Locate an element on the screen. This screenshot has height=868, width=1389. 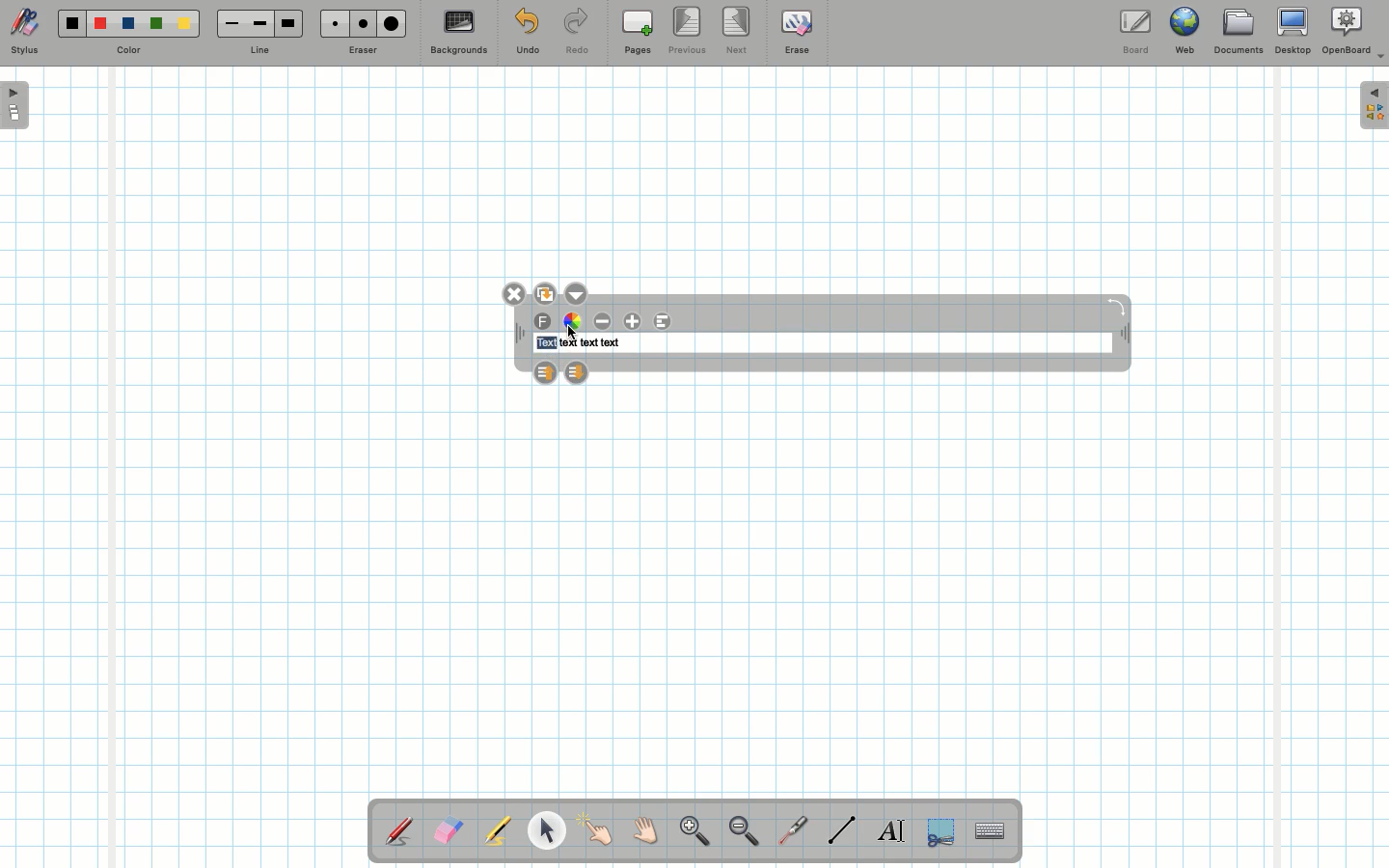
Eraser is located at coordinates (448, 832).